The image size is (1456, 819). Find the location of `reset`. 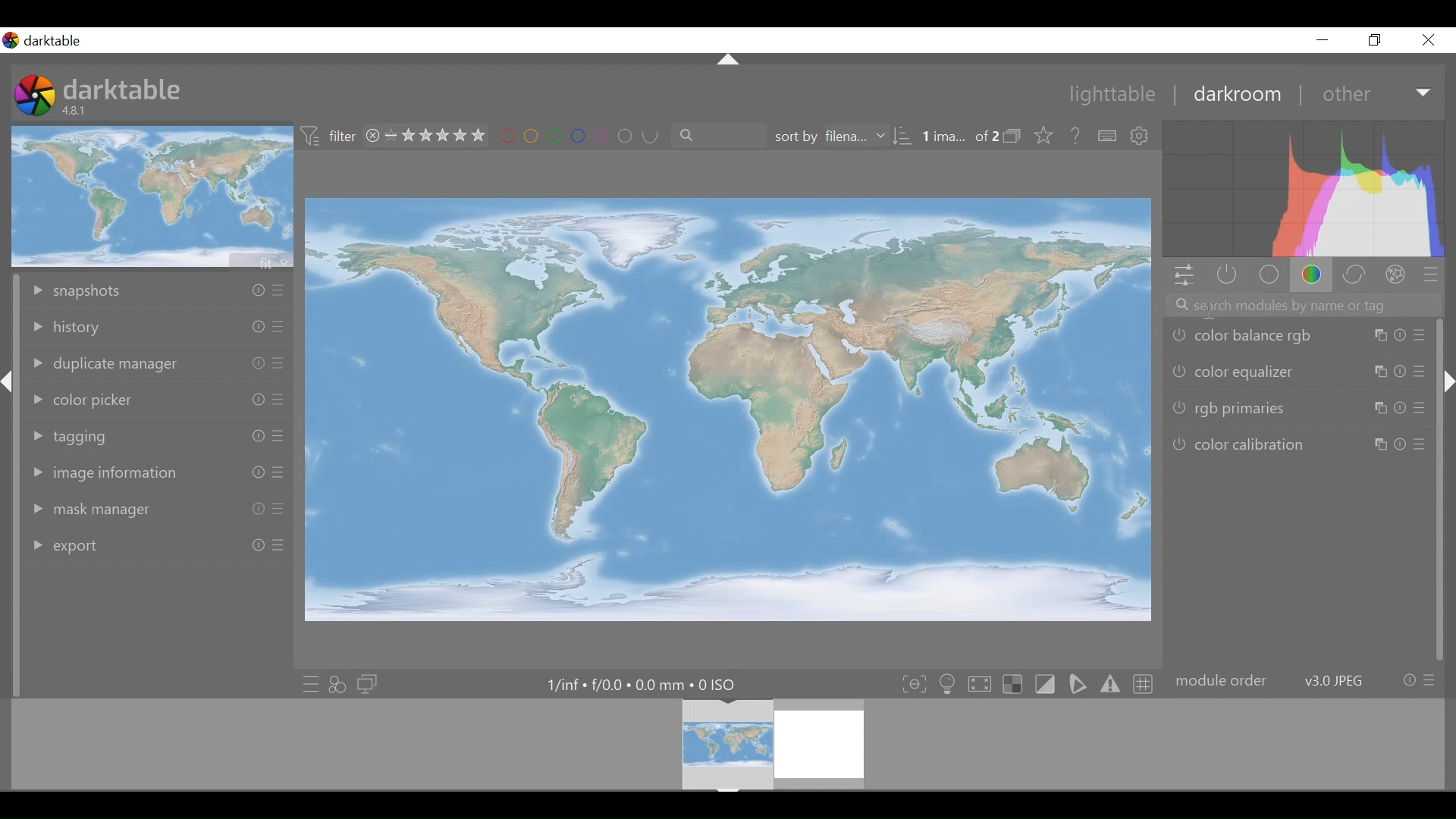

reset is located at coordinates (1407, 680).